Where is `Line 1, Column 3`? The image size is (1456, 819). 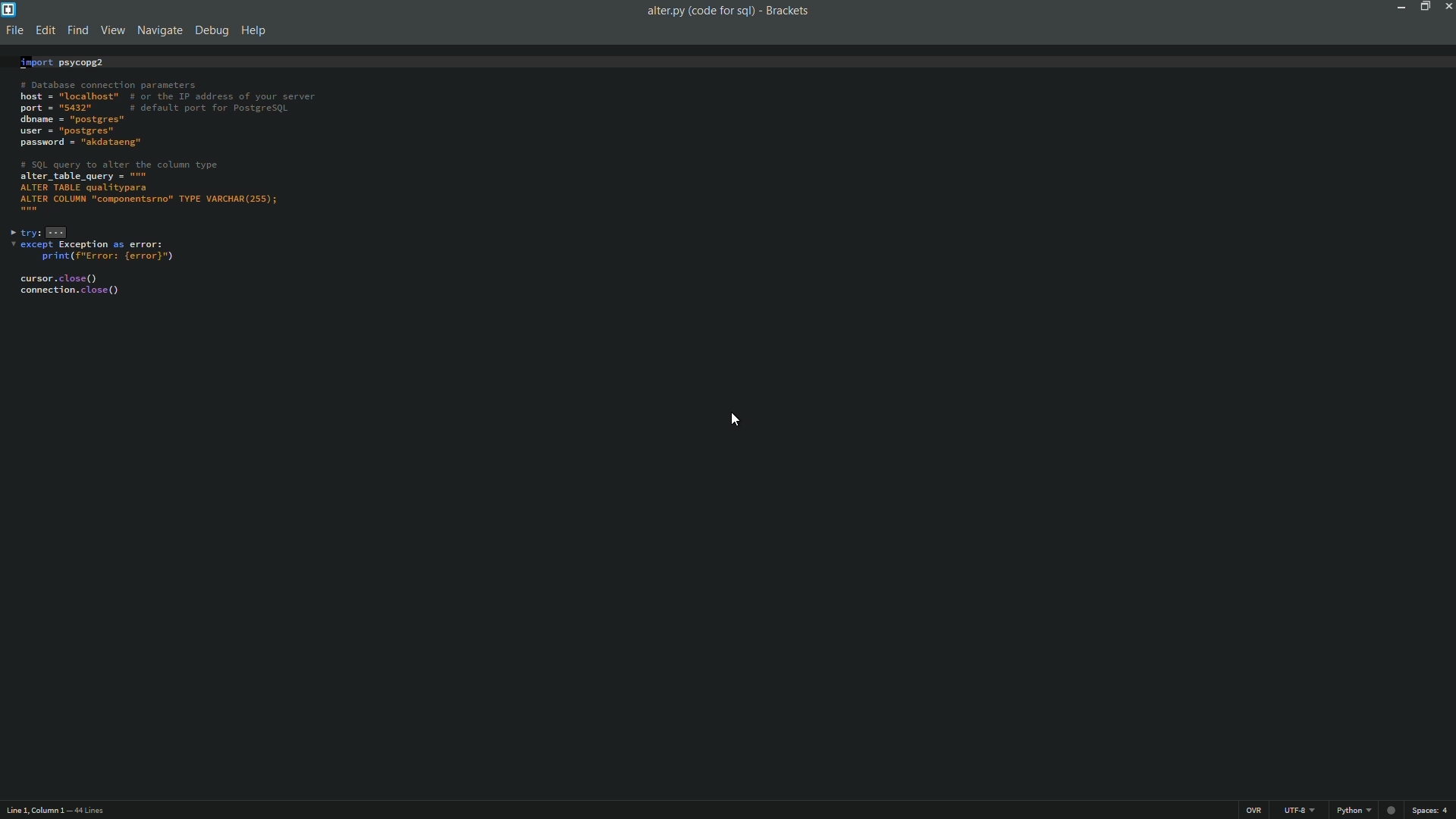 Line 1, Column 3 is located at coordinates (33, 812).